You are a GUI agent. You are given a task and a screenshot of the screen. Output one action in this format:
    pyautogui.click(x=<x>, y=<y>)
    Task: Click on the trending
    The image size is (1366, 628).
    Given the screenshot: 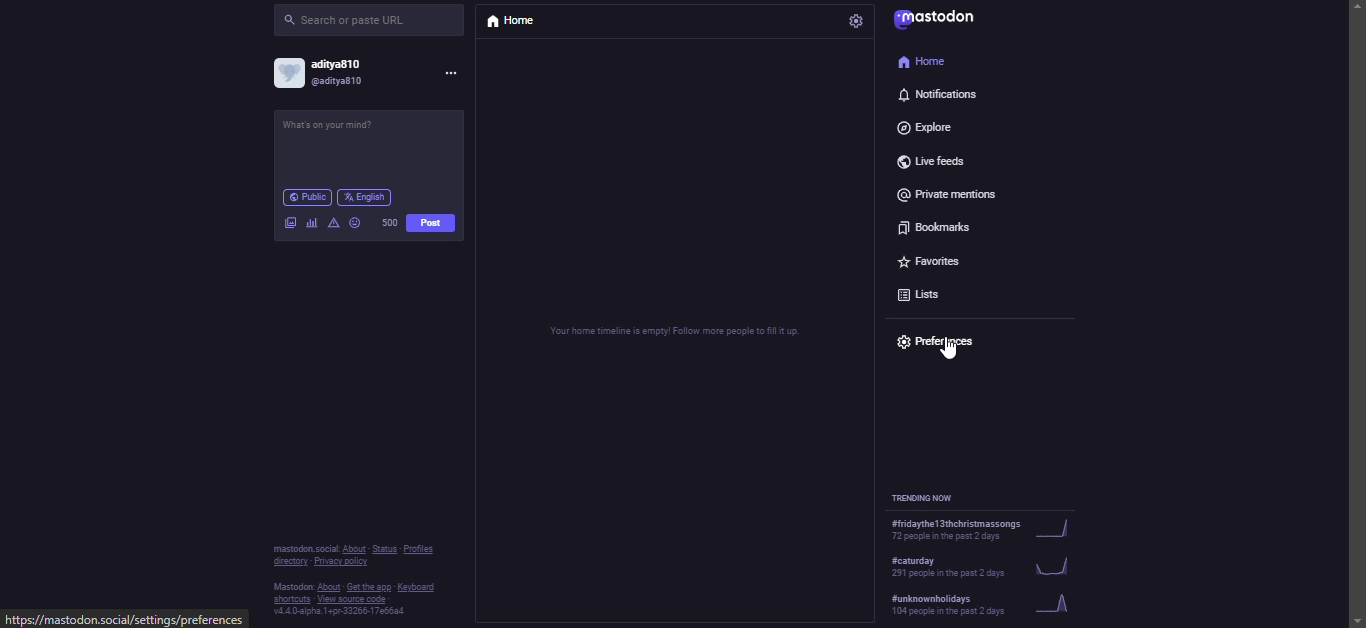 What is the action you would take?
    pyautogui.click(x=979, y=531)
    